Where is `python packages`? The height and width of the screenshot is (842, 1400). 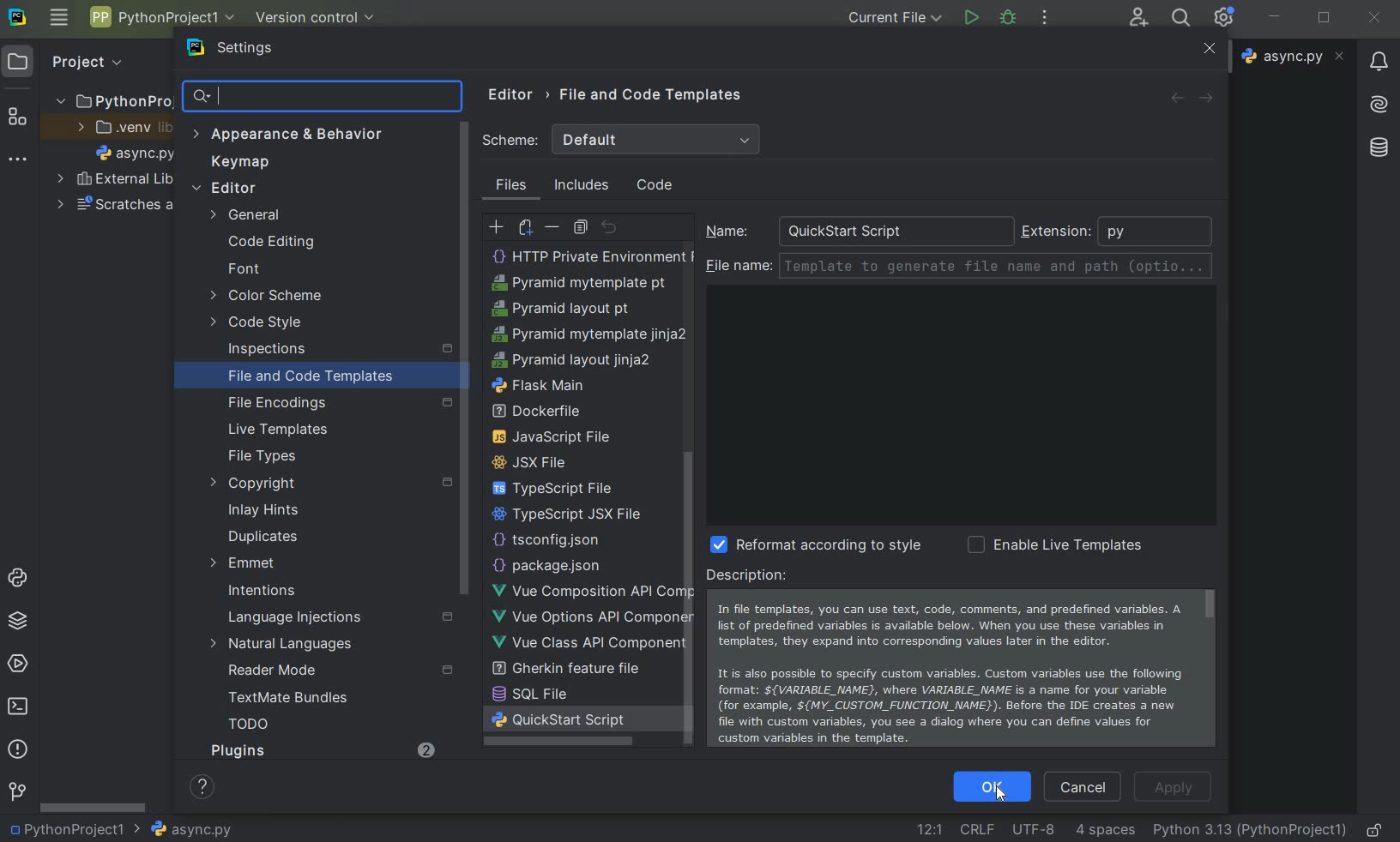
python packages is located at coordinates (19, 619).